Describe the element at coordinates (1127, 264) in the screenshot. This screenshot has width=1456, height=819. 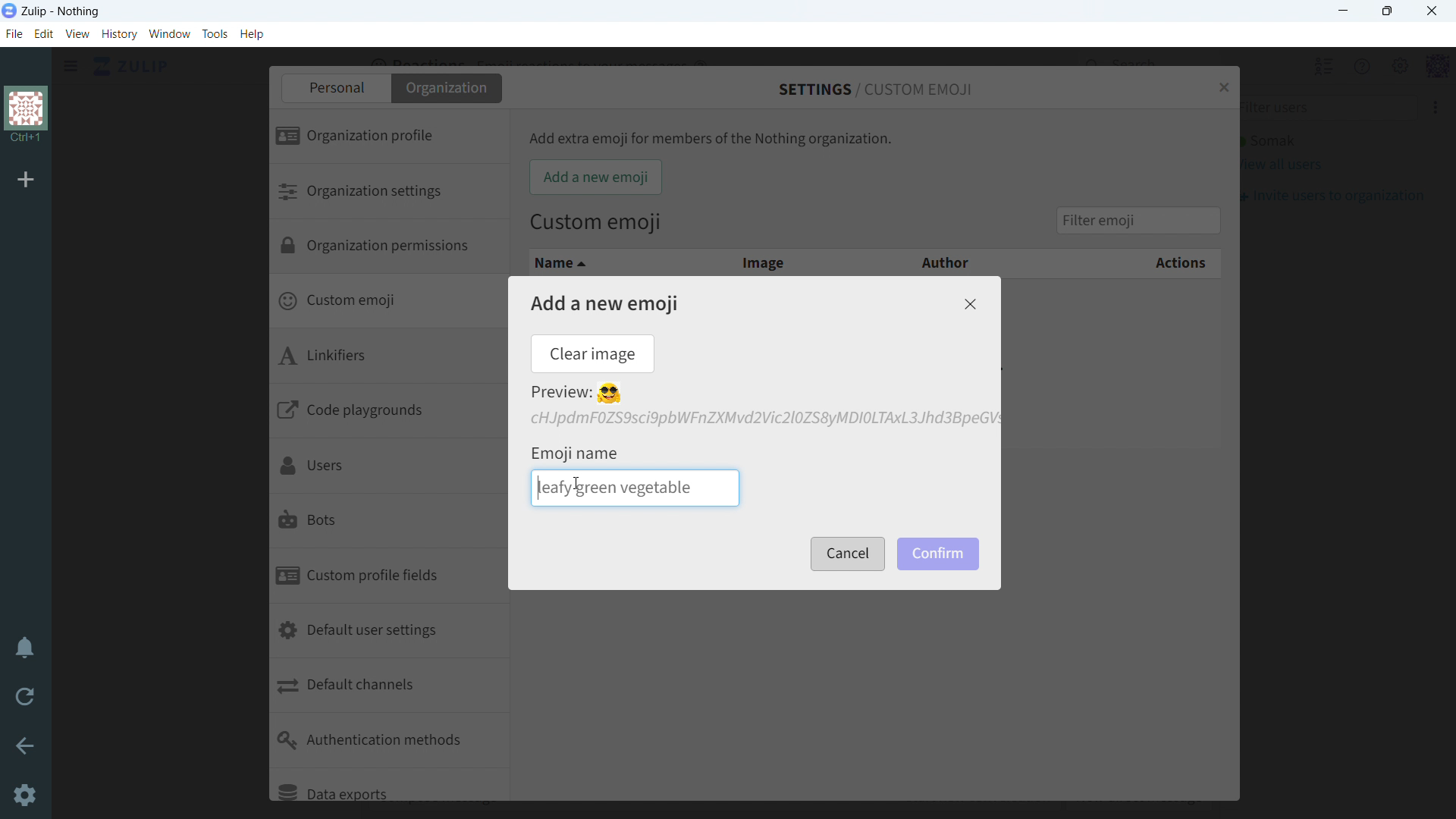
I see `actions` at that location.